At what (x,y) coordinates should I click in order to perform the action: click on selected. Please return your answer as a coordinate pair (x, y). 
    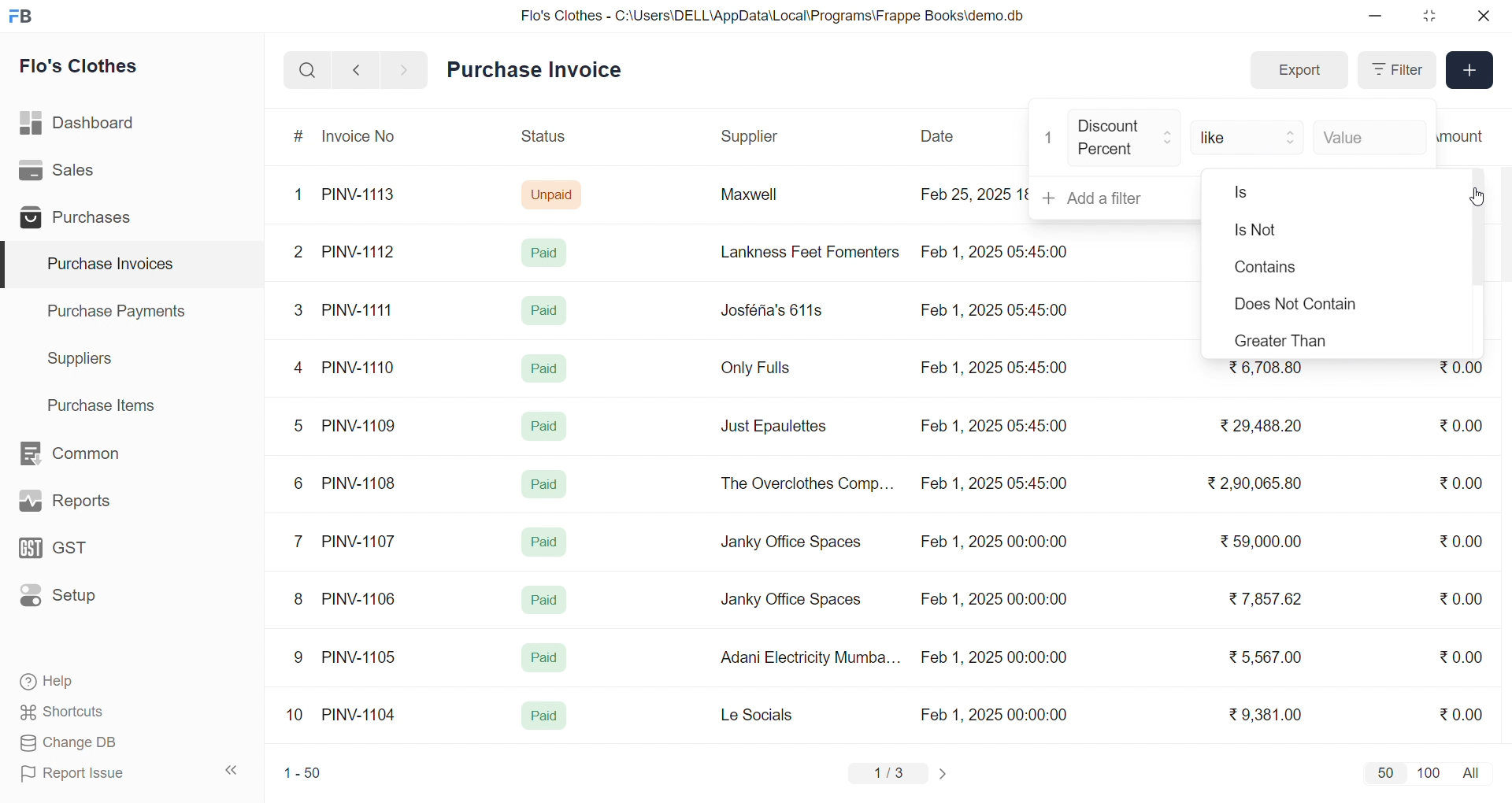
    Looking at the image, I should click on (9, 265).